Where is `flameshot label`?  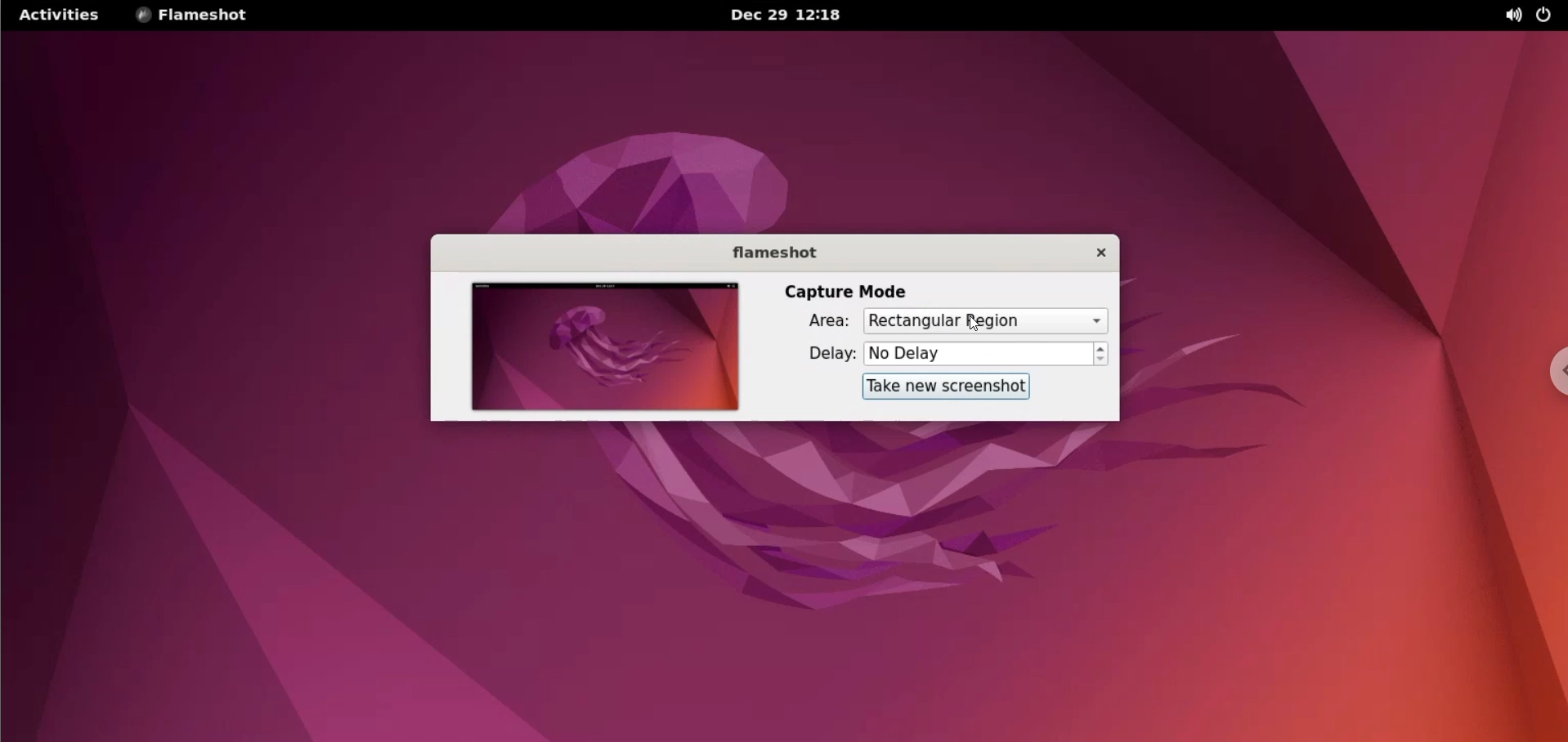
flameshot label is located at coordinates (770, 254).